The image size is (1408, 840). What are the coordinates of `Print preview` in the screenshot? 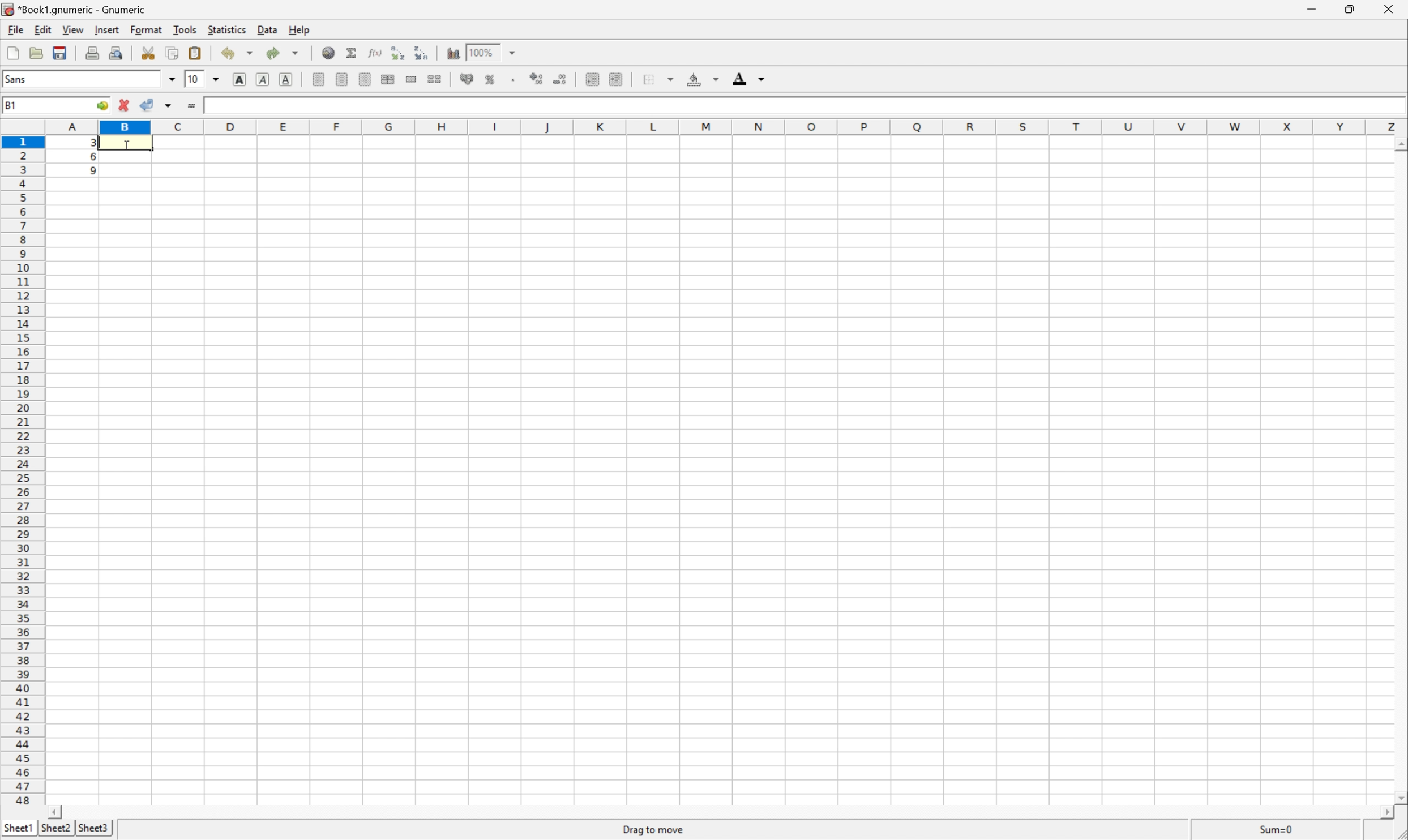 It's located at (117, 51).